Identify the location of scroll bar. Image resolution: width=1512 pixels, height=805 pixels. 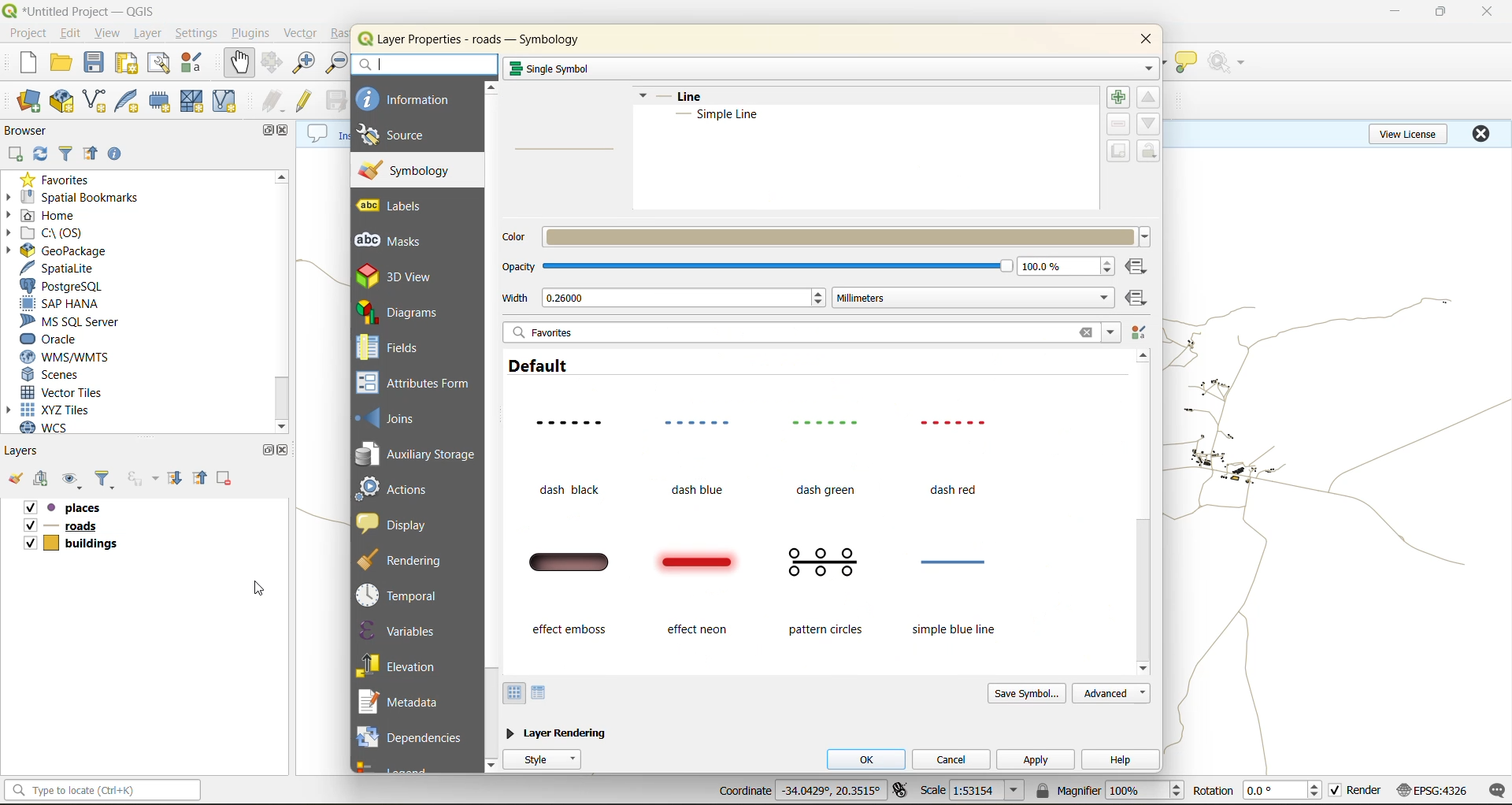
(281, 299).